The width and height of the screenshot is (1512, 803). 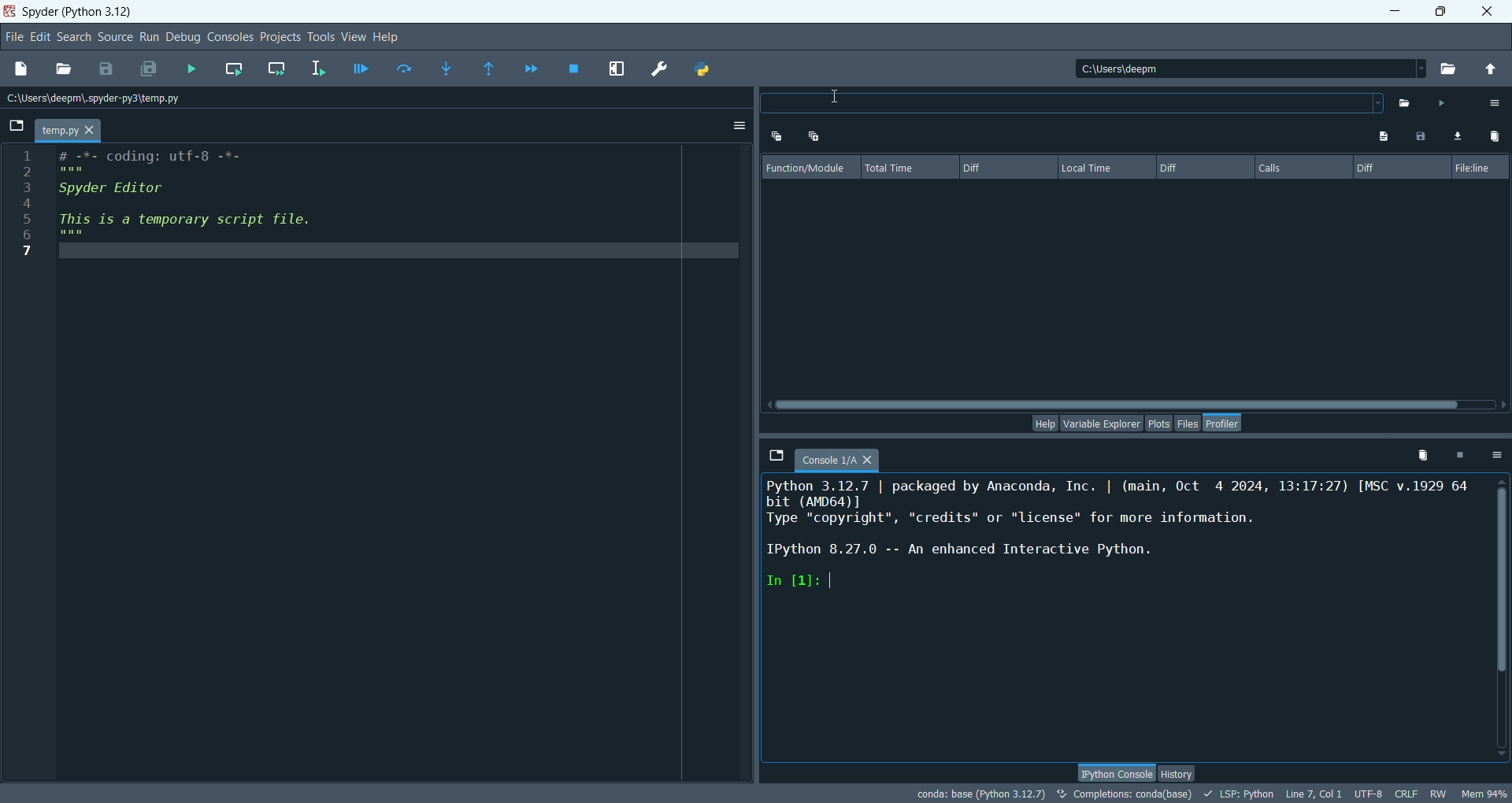 What do you see at coordinates (819, 136) in the screenshot?
I see `expand one level down` at bounding box center [819, 136].